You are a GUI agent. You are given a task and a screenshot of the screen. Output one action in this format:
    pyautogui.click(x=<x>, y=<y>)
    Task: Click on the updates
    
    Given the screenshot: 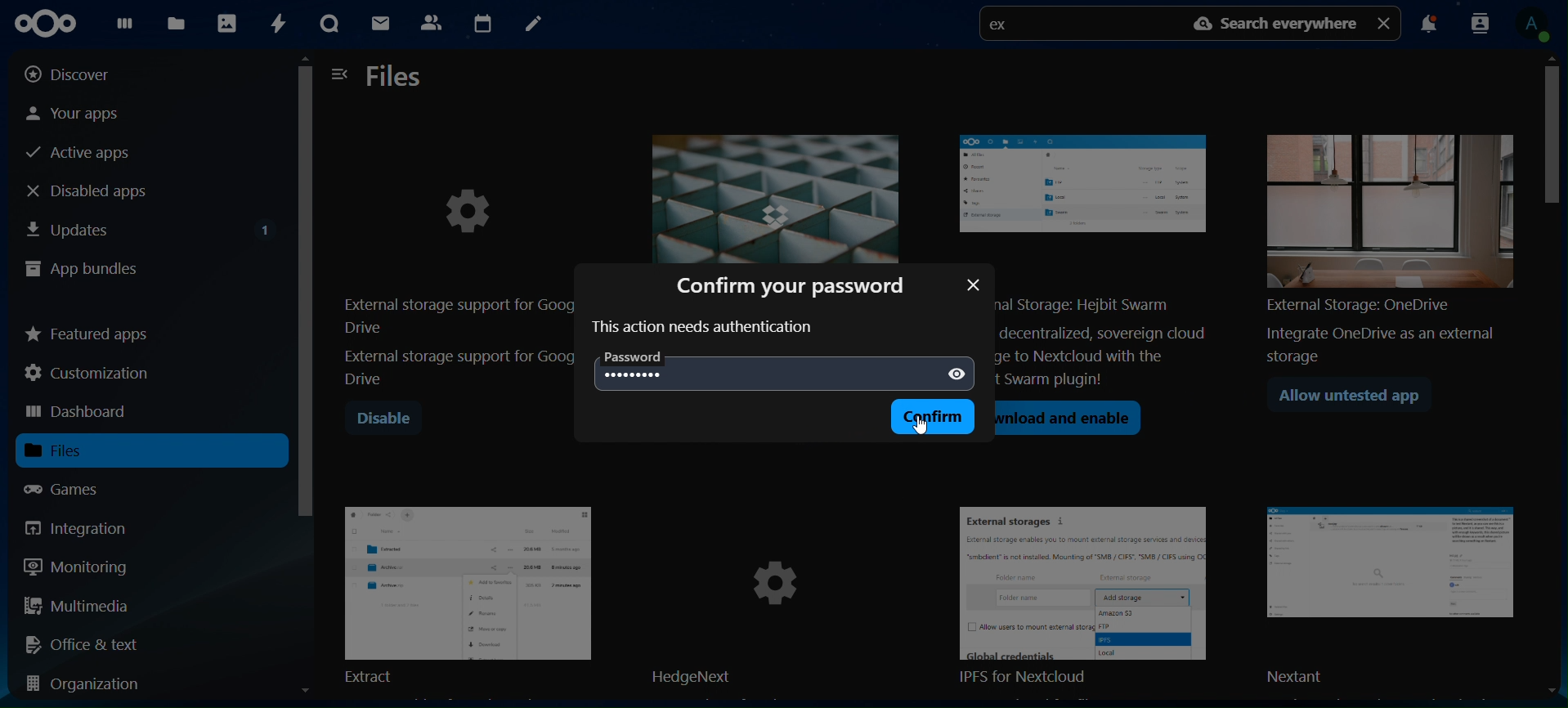 What is the action you would take?
    pyautogui.click(x=150, y=226)
    